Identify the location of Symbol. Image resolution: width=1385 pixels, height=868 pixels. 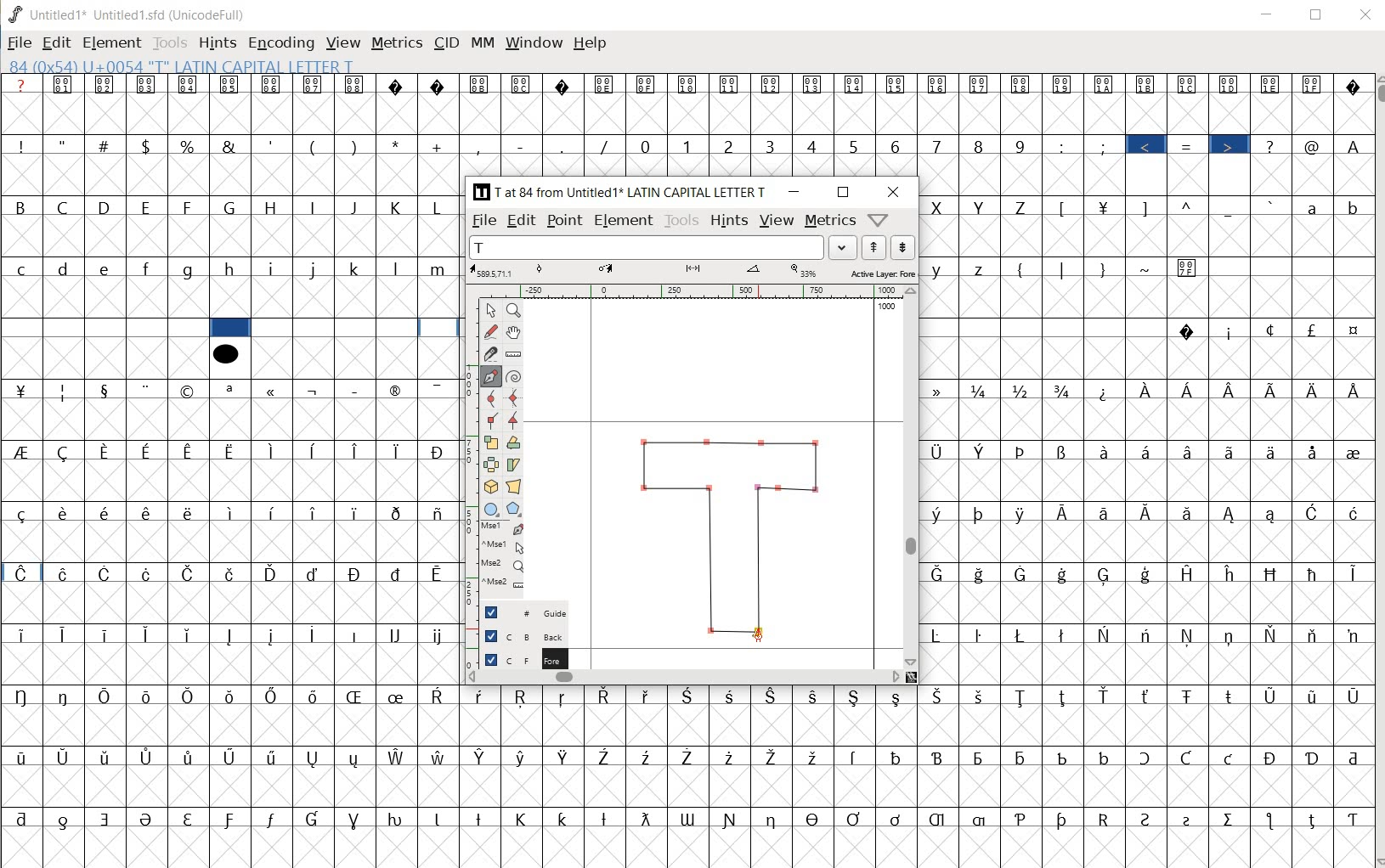
(1314, 452).